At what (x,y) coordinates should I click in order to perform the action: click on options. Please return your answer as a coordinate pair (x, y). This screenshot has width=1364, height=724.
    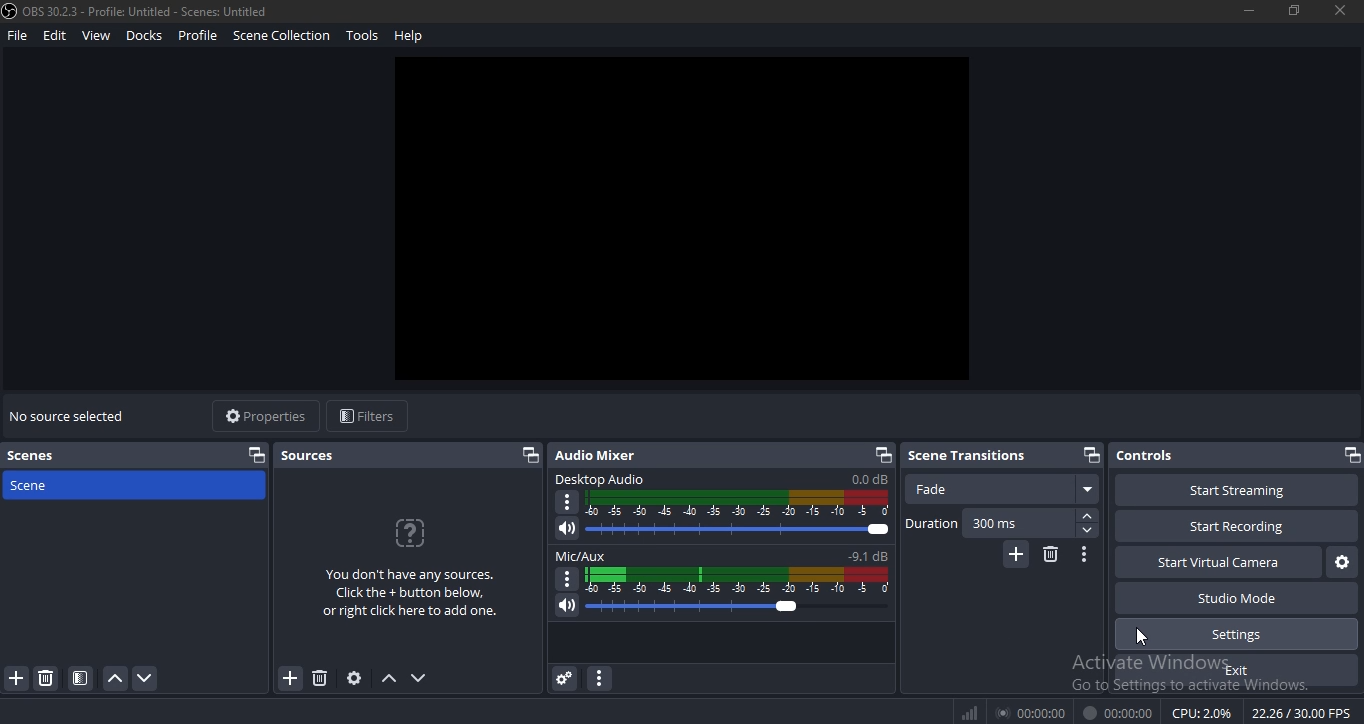
    Looking at the image, I should click on (565, 579).